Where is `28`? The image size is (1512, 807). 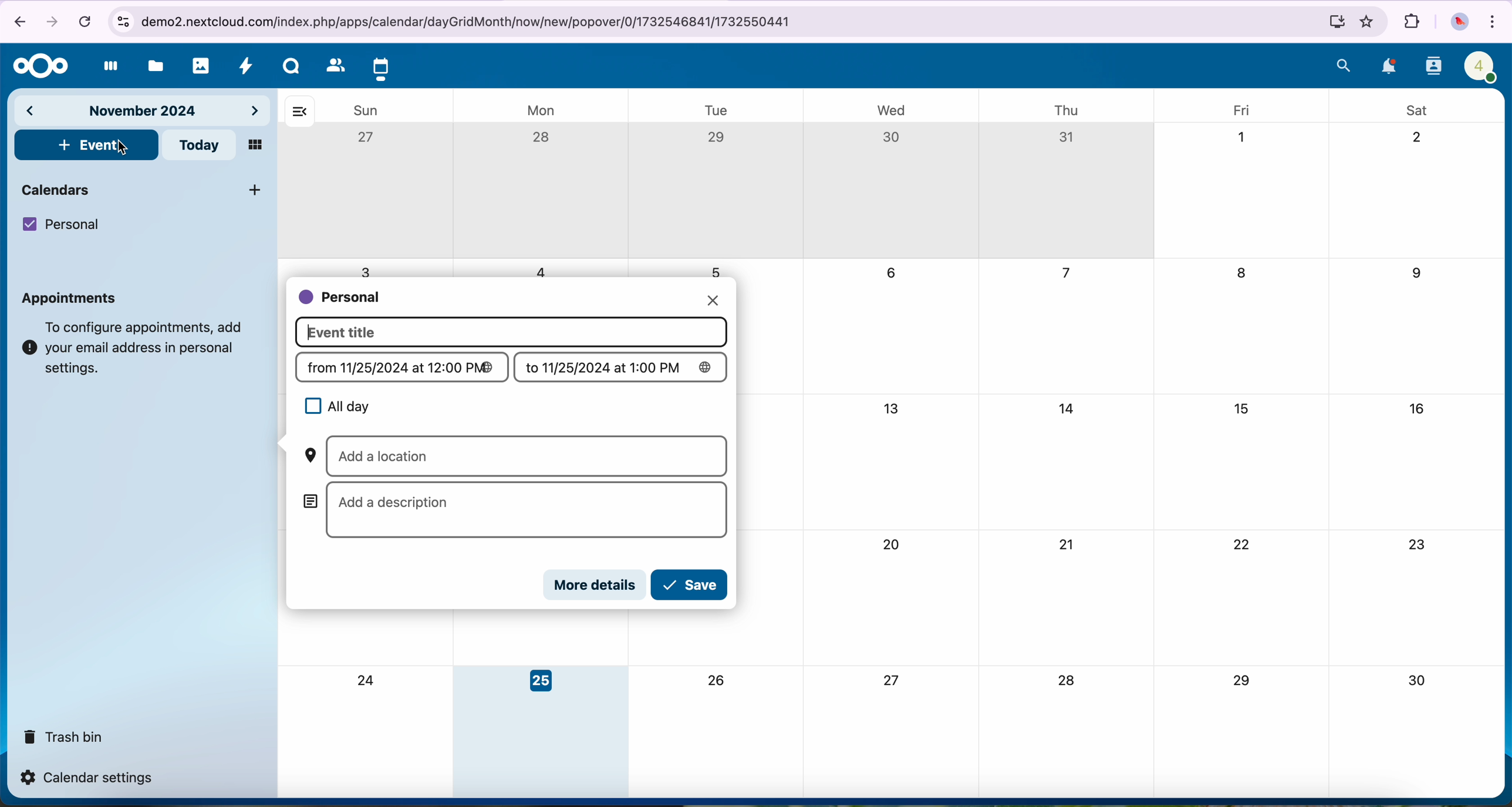
28 is located at coordinates (544, 139).